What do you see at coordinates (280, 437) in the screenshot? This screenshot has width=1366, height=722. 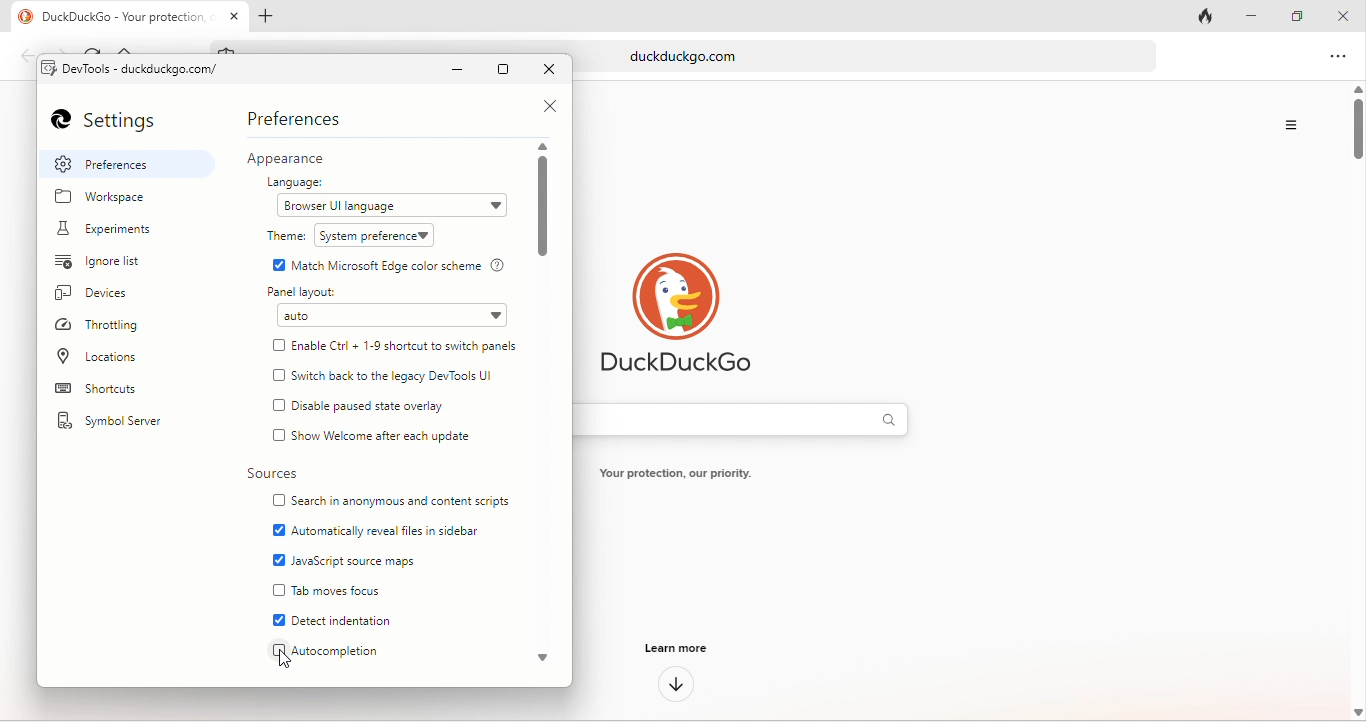 I see `checkbox` at bounding box center [280, 437].